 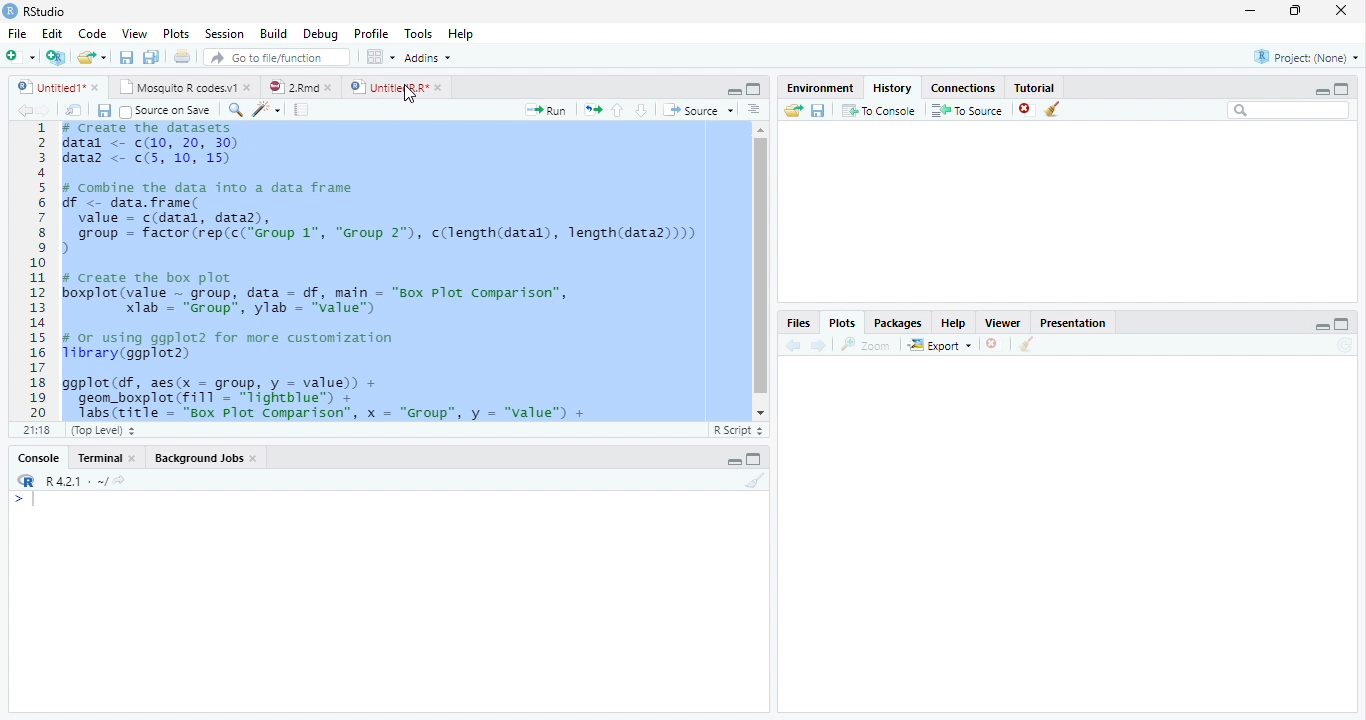 I want to click on Next plot, so click(x=819, y=345).